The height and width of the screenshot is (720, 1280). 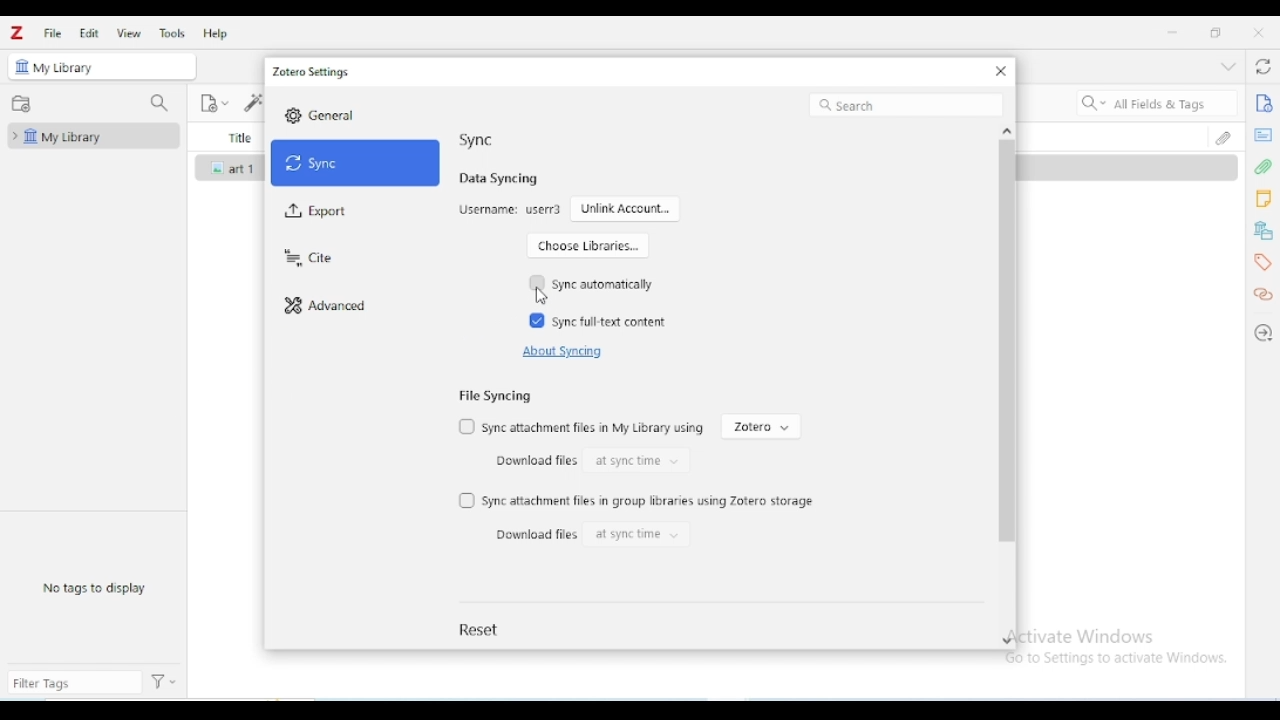 I want to click on help, so click(x=215, y=33).